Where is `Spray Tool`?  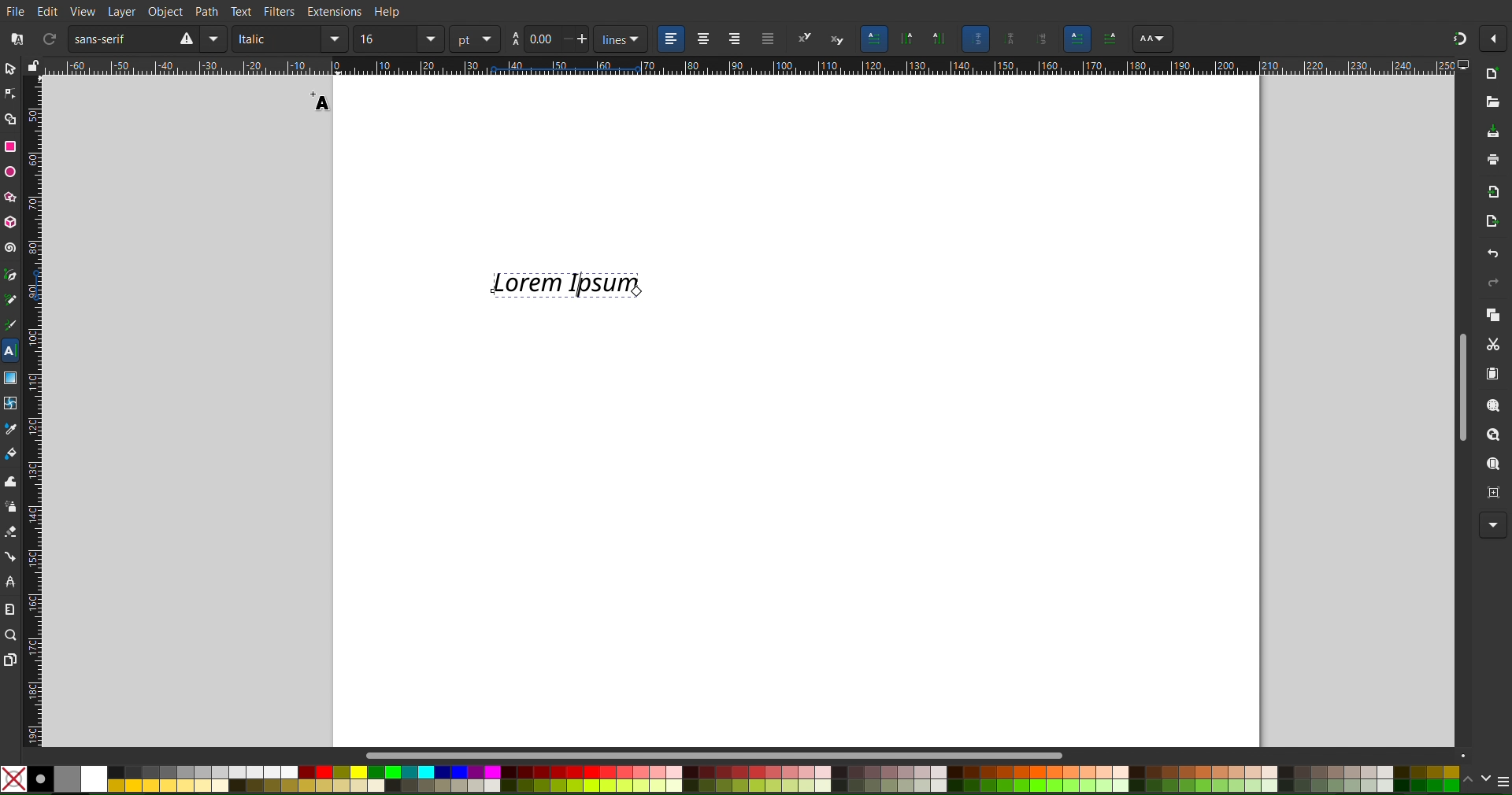 Spray Tool is located at coordinates (11, 505).